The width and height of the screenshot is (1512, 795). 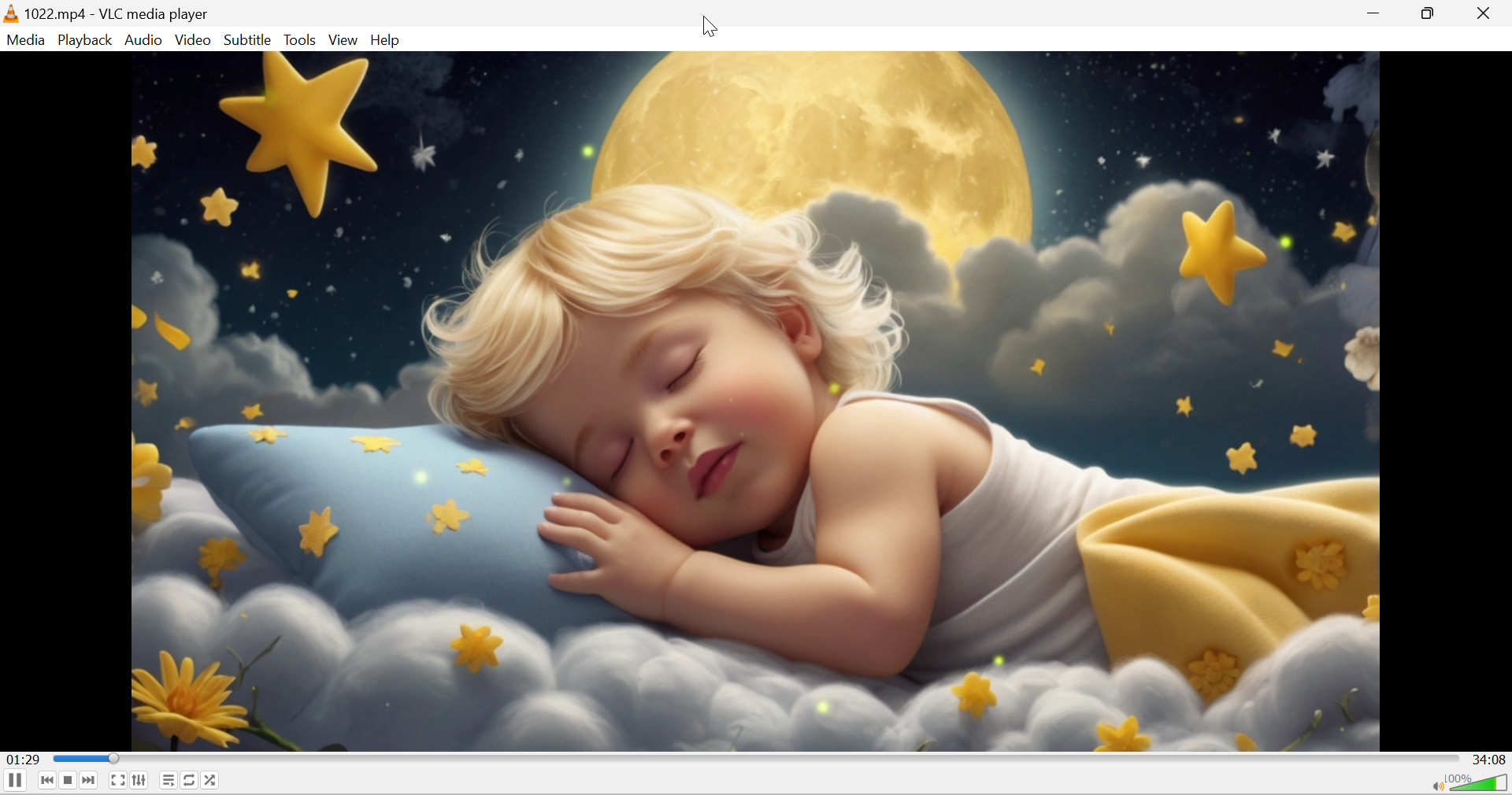 I want to click on Audio, so click(x=143, y=42).